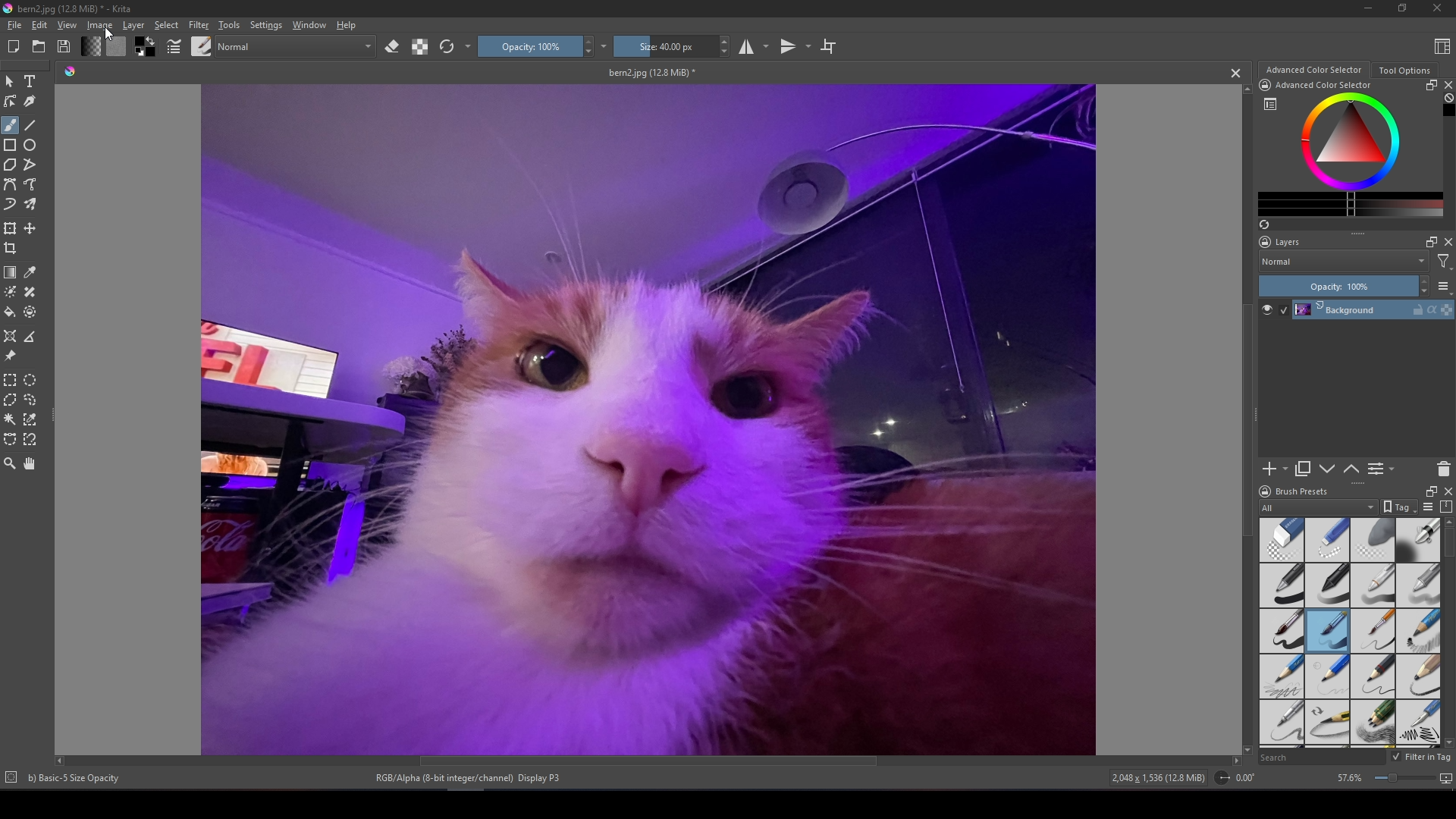 The image size is (1456, 819). What do you see at coordinates (1449, 85) in the screenshot?
I see `Close docker` at bounding box center [1449, 85].